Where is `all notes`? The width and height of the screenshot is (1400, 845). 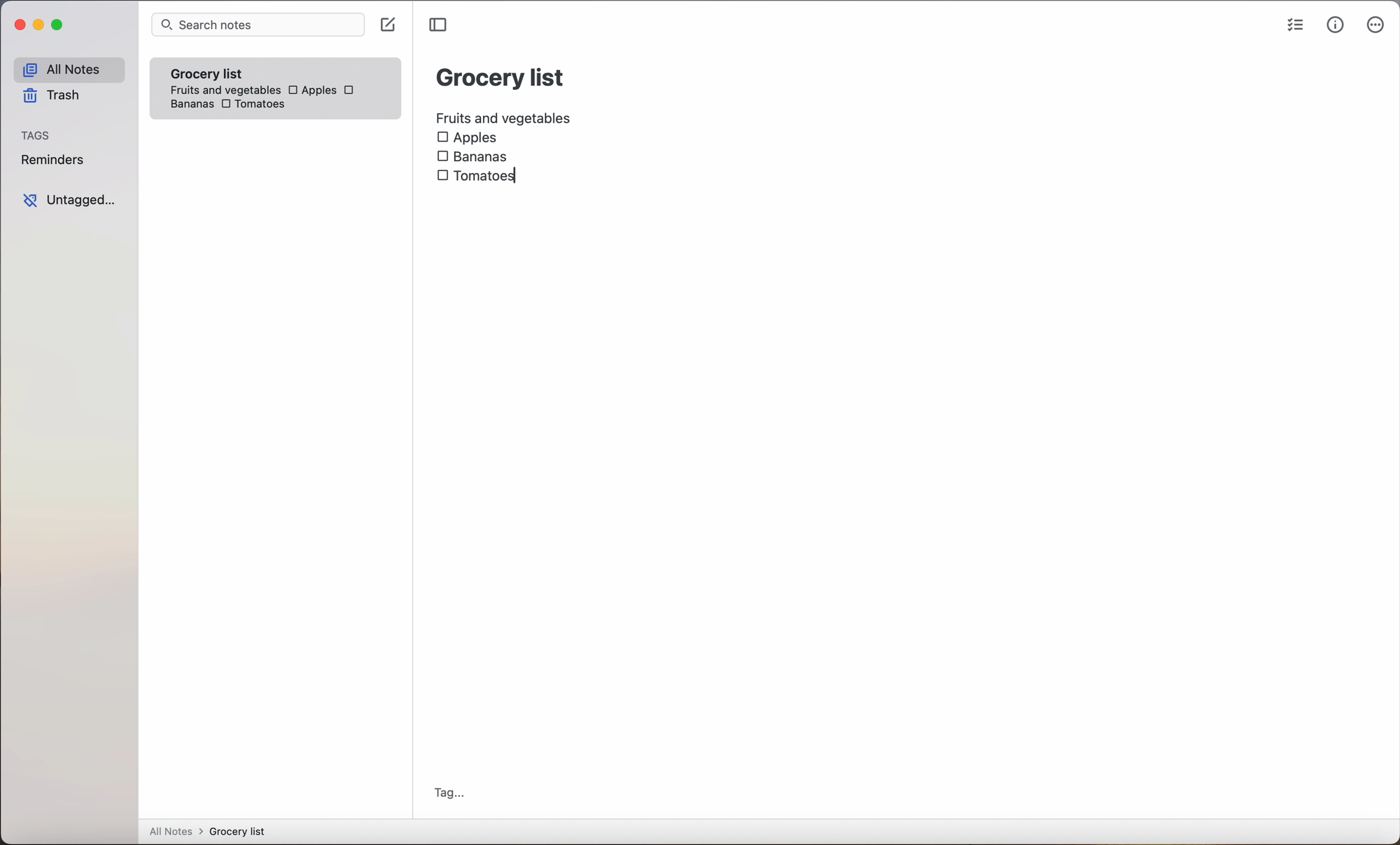 all notes is located at coordinates (68, 70).